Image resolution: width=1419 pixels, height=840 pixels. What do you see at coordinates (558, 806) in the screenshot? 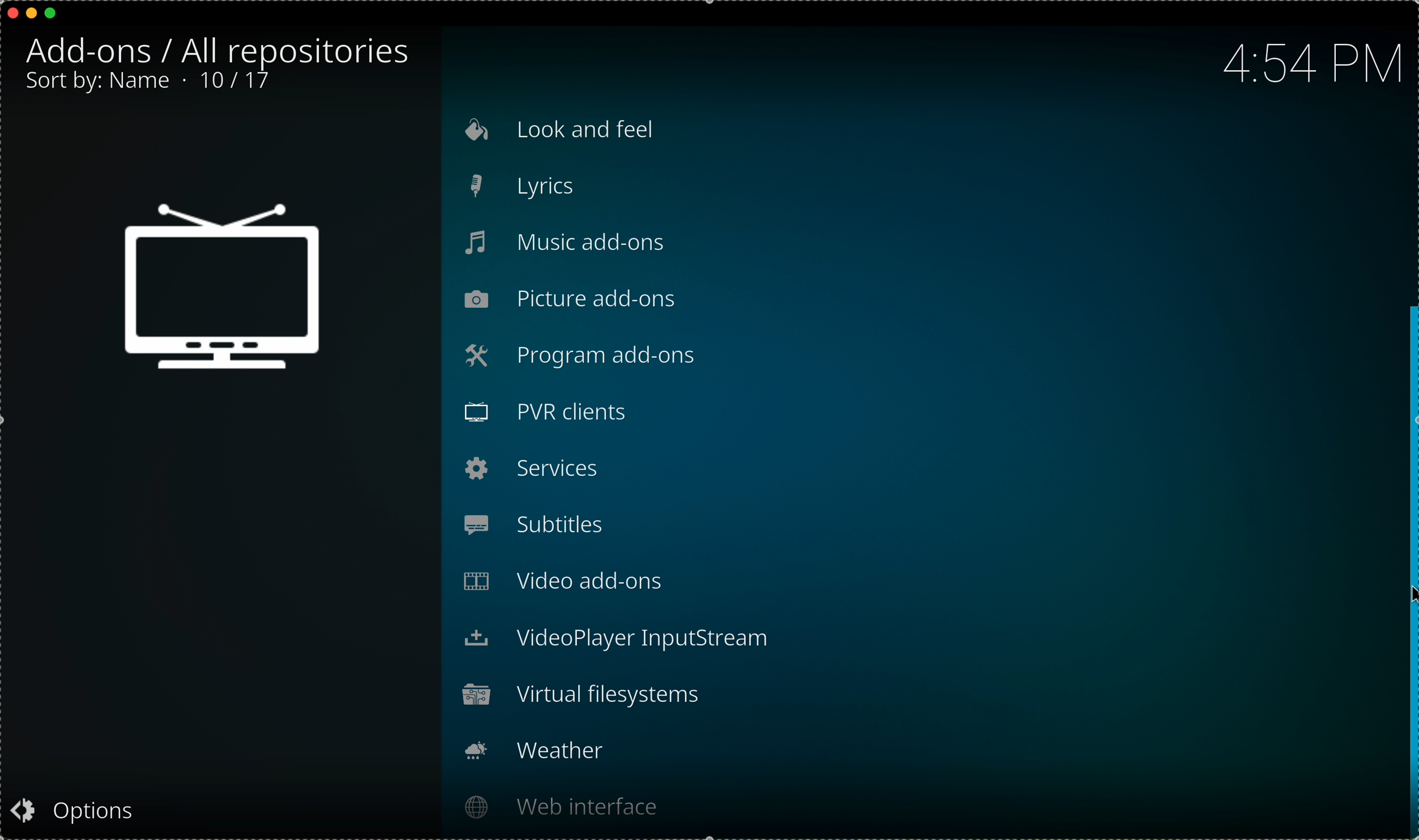
I see `web interface` at bounding box center [558, 806].